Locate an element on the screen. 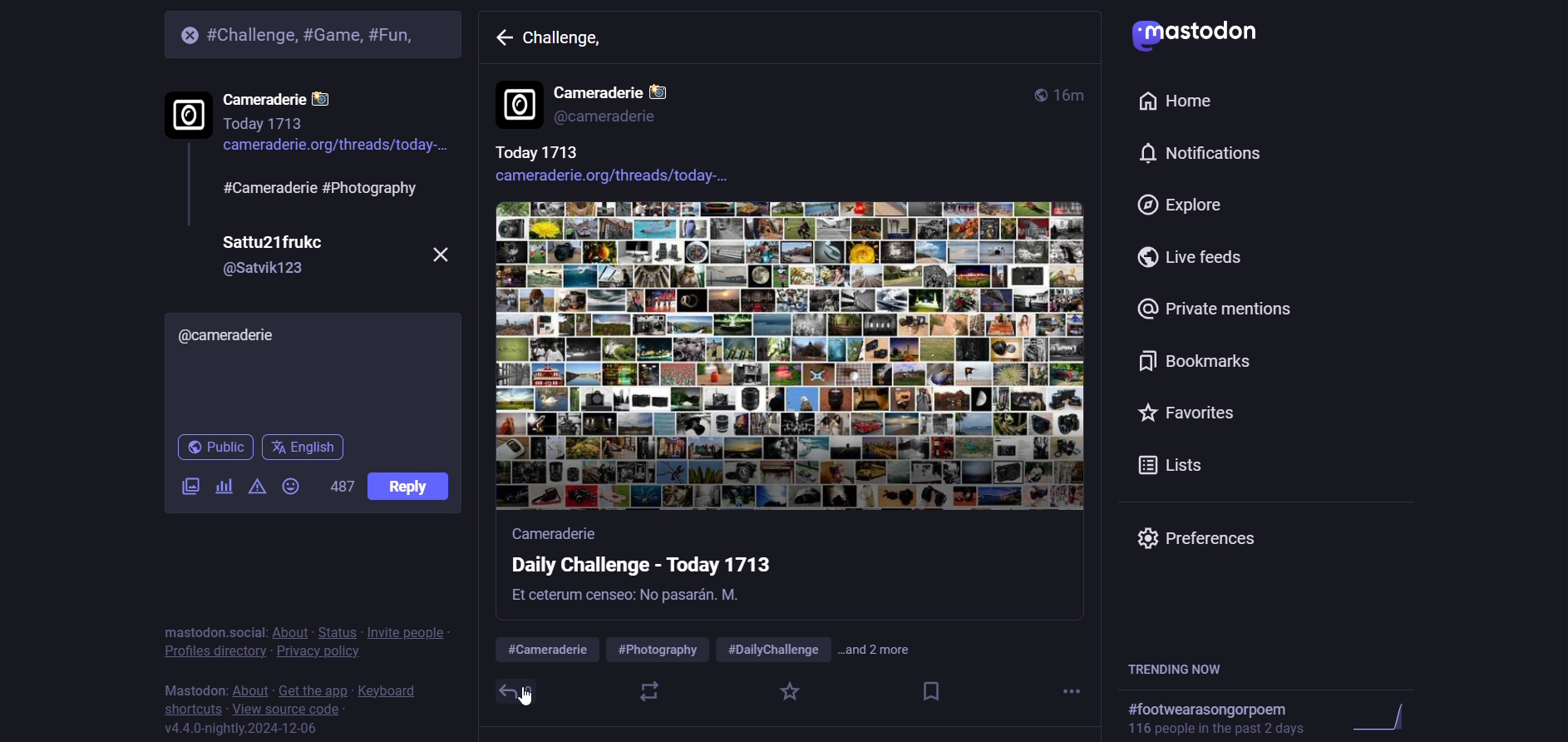 The width and height of the screenshot is (1568, 742). home is located at coordinates (1178, 101).